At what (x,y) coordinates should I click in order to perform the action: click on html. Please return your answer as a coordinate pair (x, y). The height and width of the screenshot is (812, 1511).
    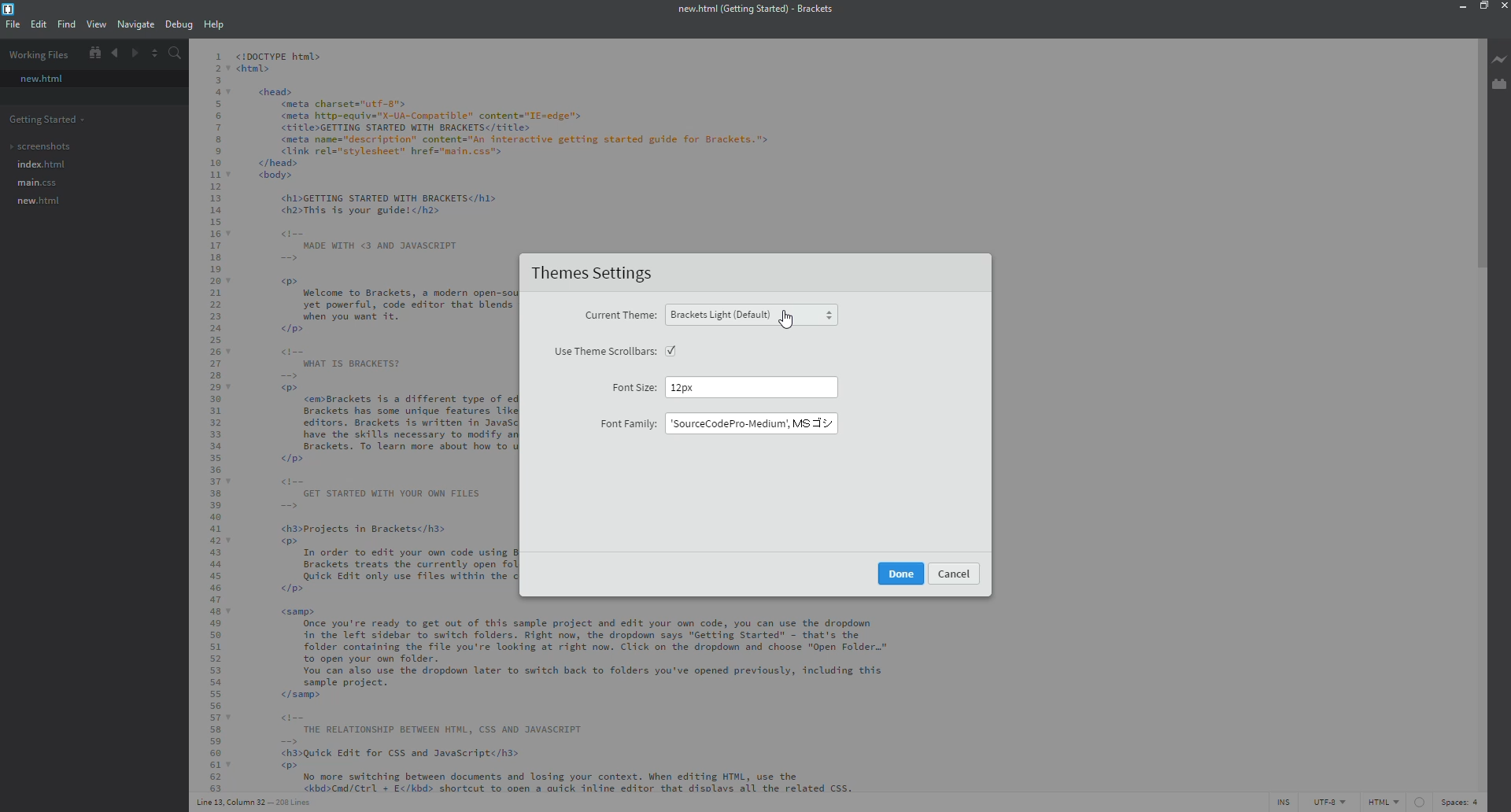
    Looking at the image, I should click on (1397, 802).